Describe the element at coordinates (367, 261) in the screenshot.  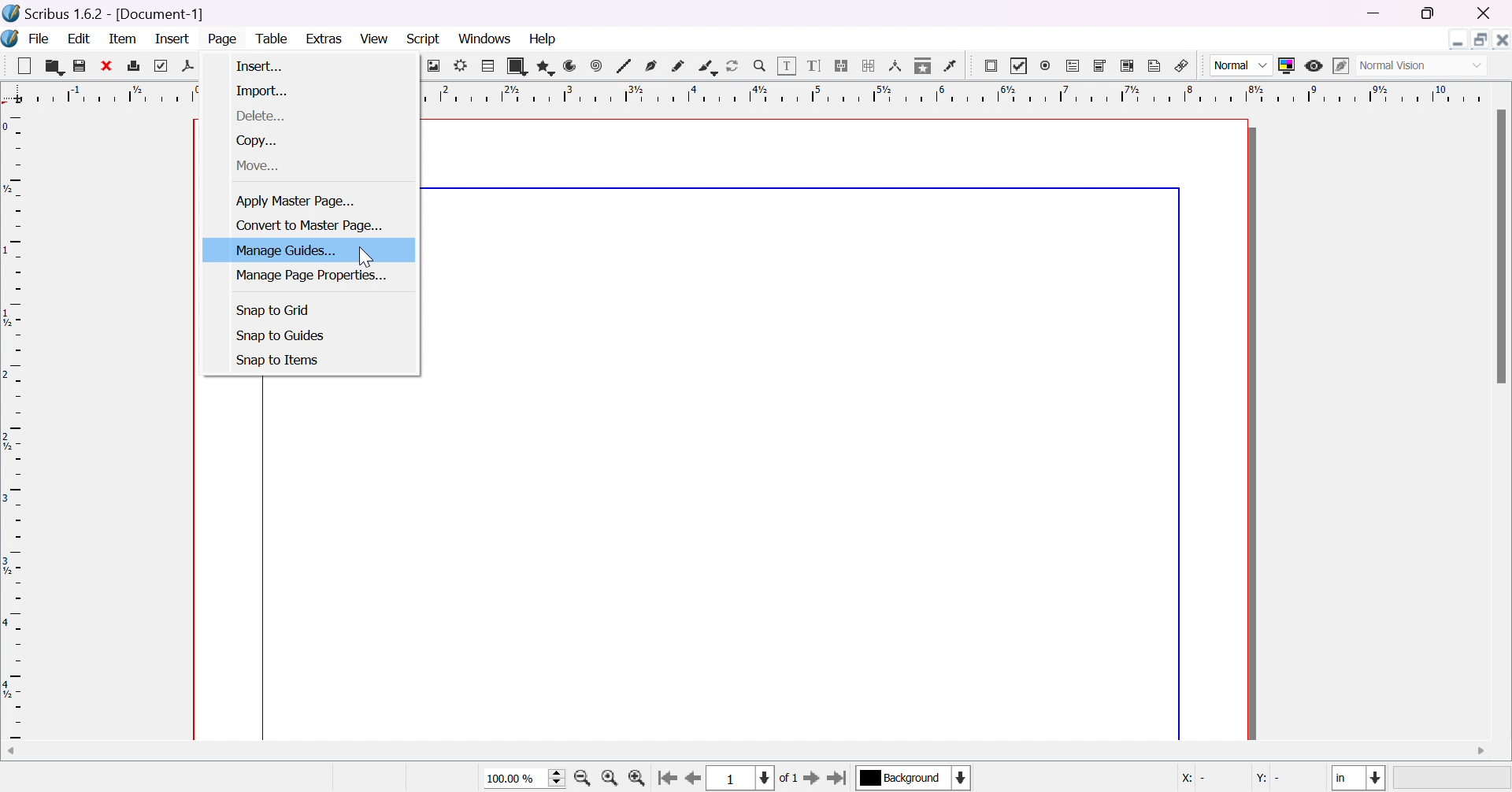
I see `Cursor` at that location.